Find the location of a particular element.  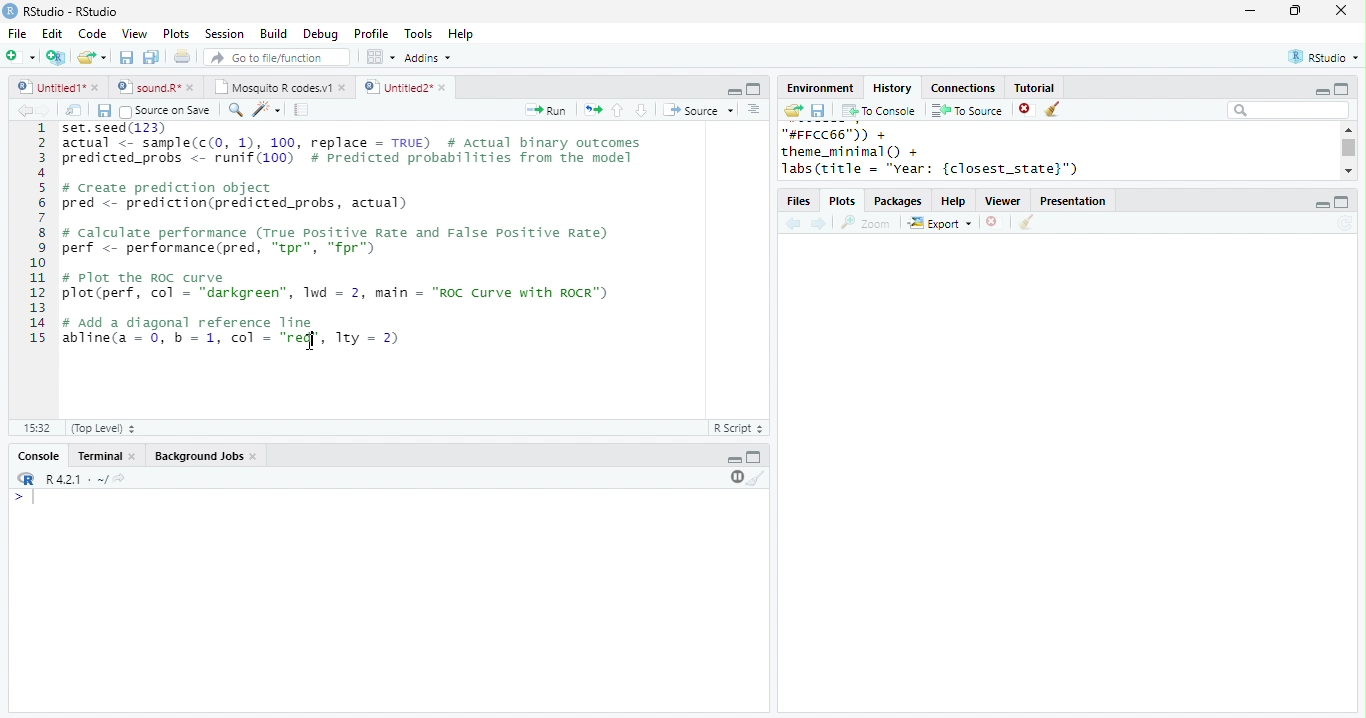

console is located at coordinates (37, 457).